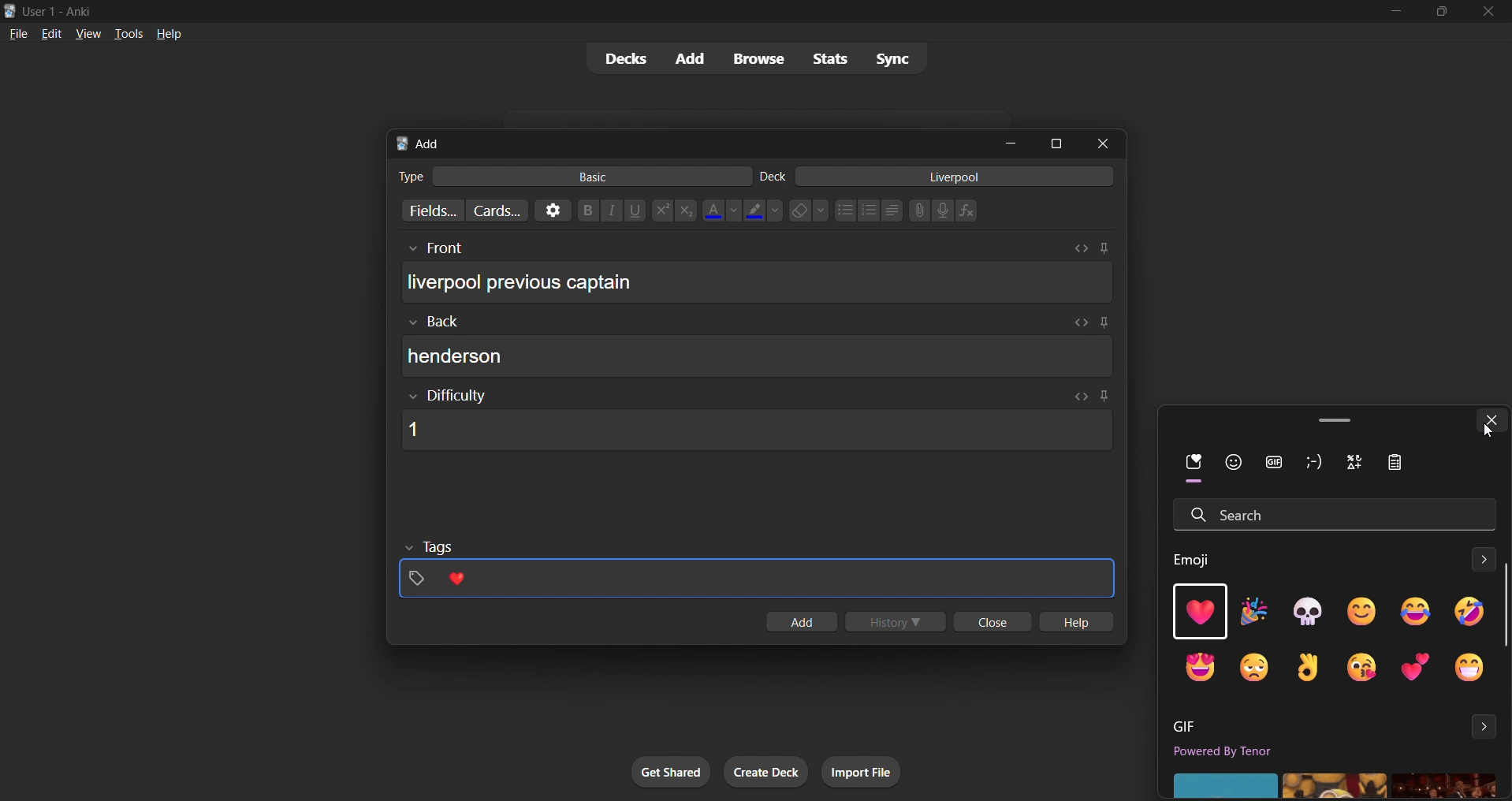  I want to click on Powered by Tenor, so click(1250, 753).